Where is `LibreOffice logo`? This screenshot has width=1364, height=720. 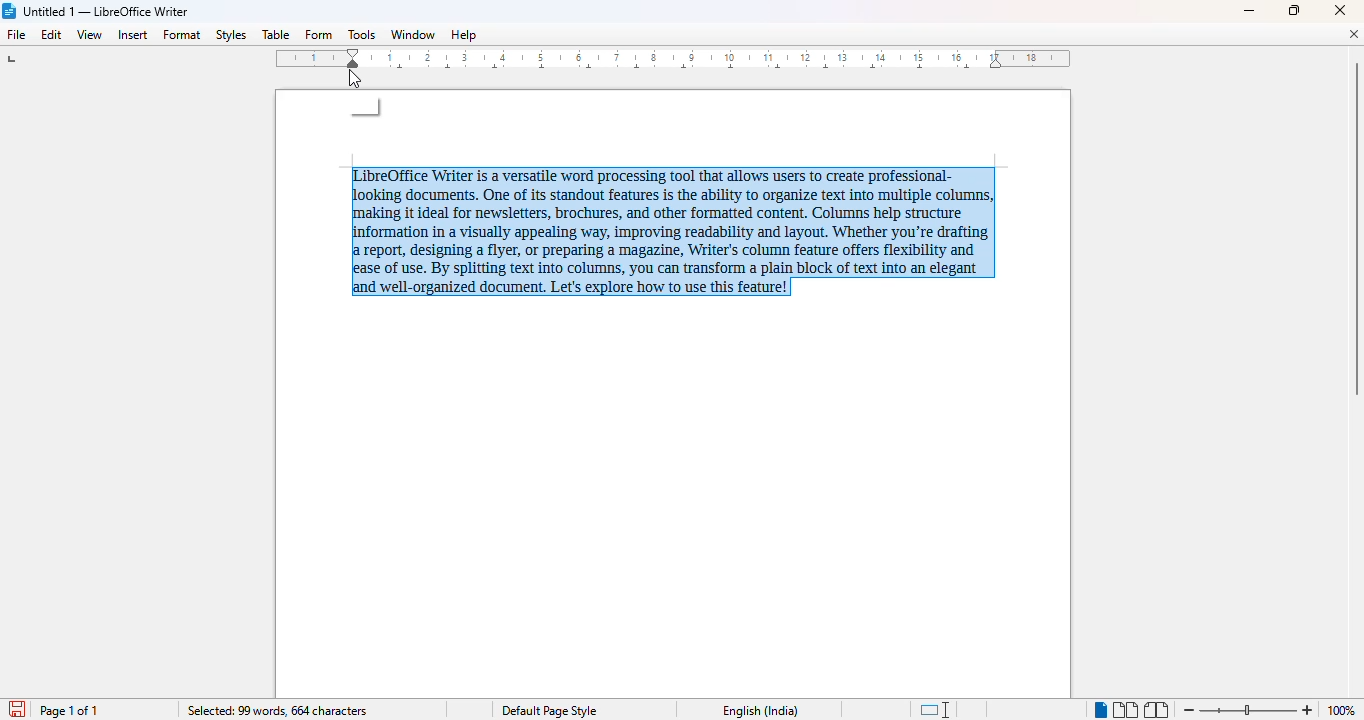
LibreOffice logo is located at coordinates (10, 11).